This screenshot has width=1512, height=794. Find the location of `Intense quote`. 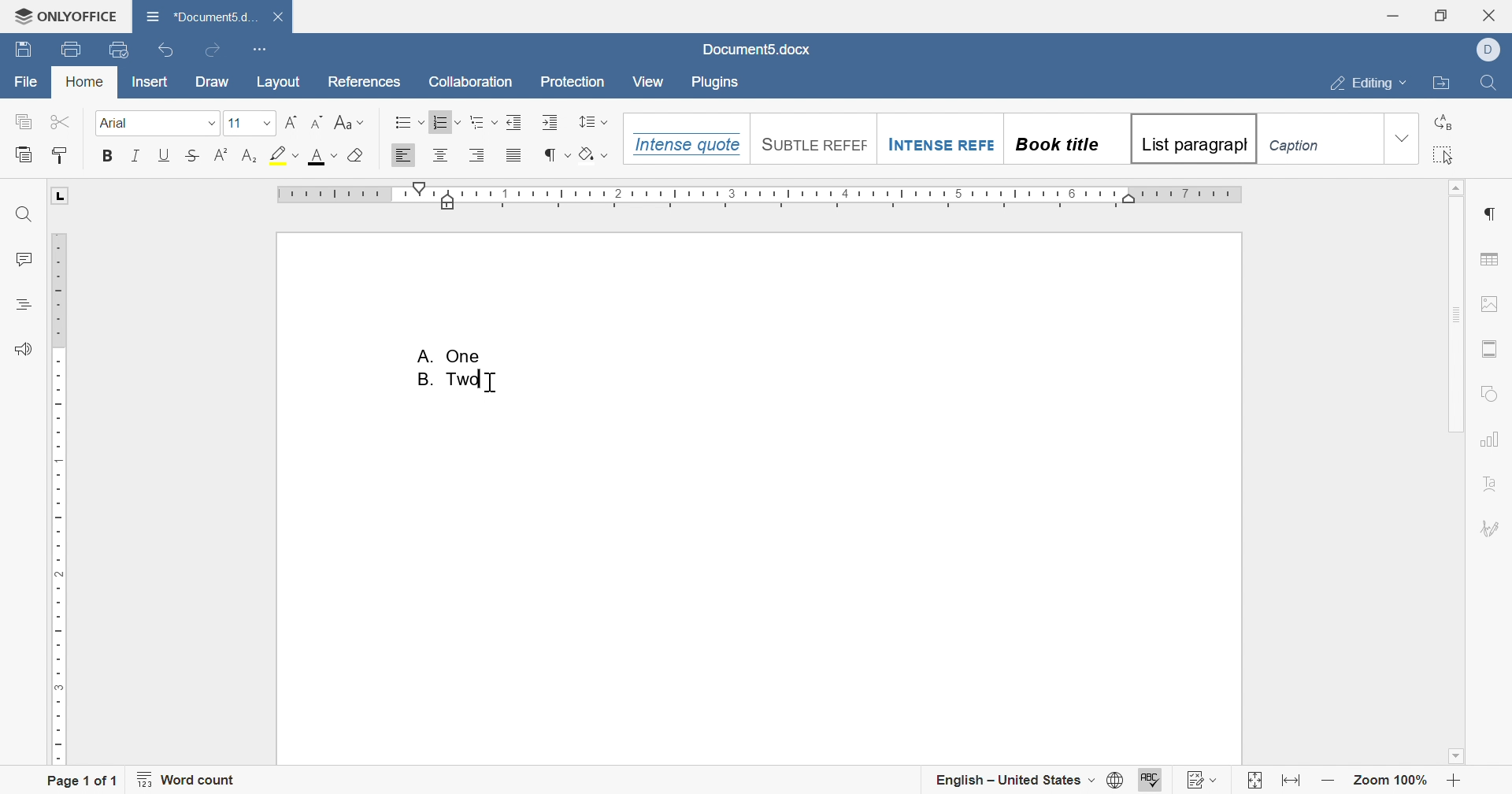

Intense quote is located at coordinates (684, 144).